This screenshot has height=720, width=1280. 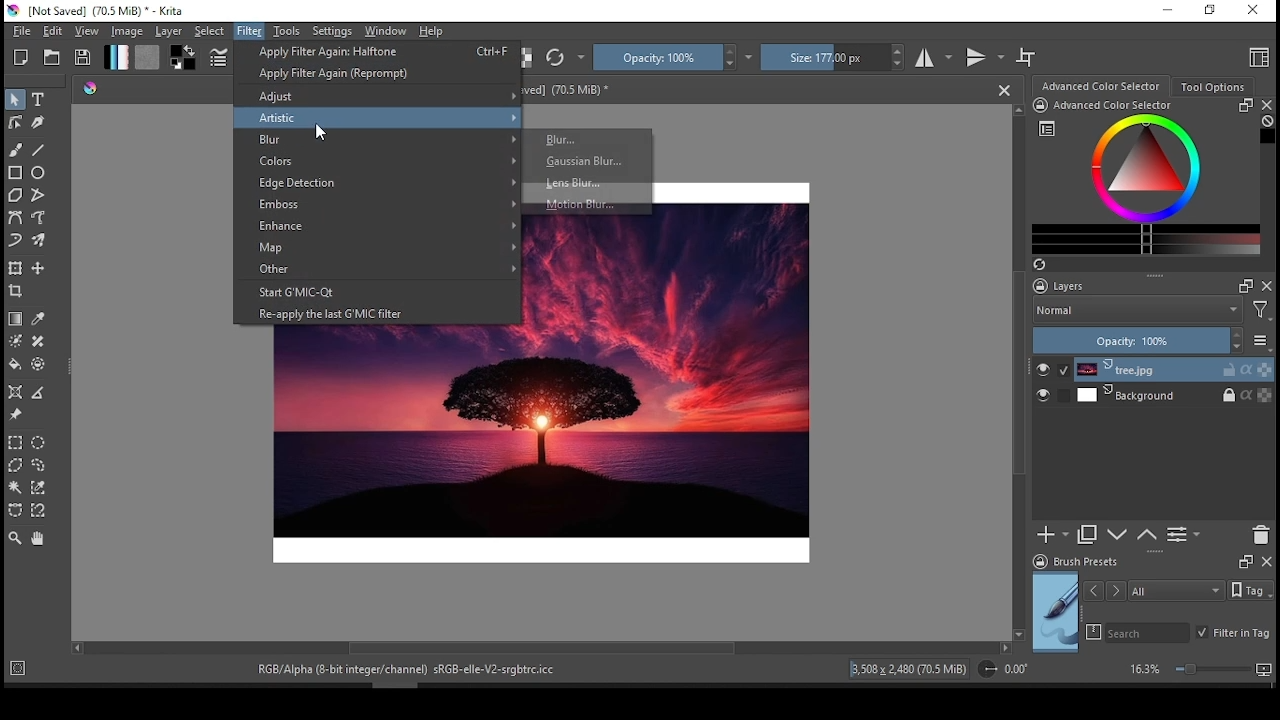 What do you see at coordinates (1052, 536) in the screenshot?
I see `new layer` at bounding box center [1052, 536].